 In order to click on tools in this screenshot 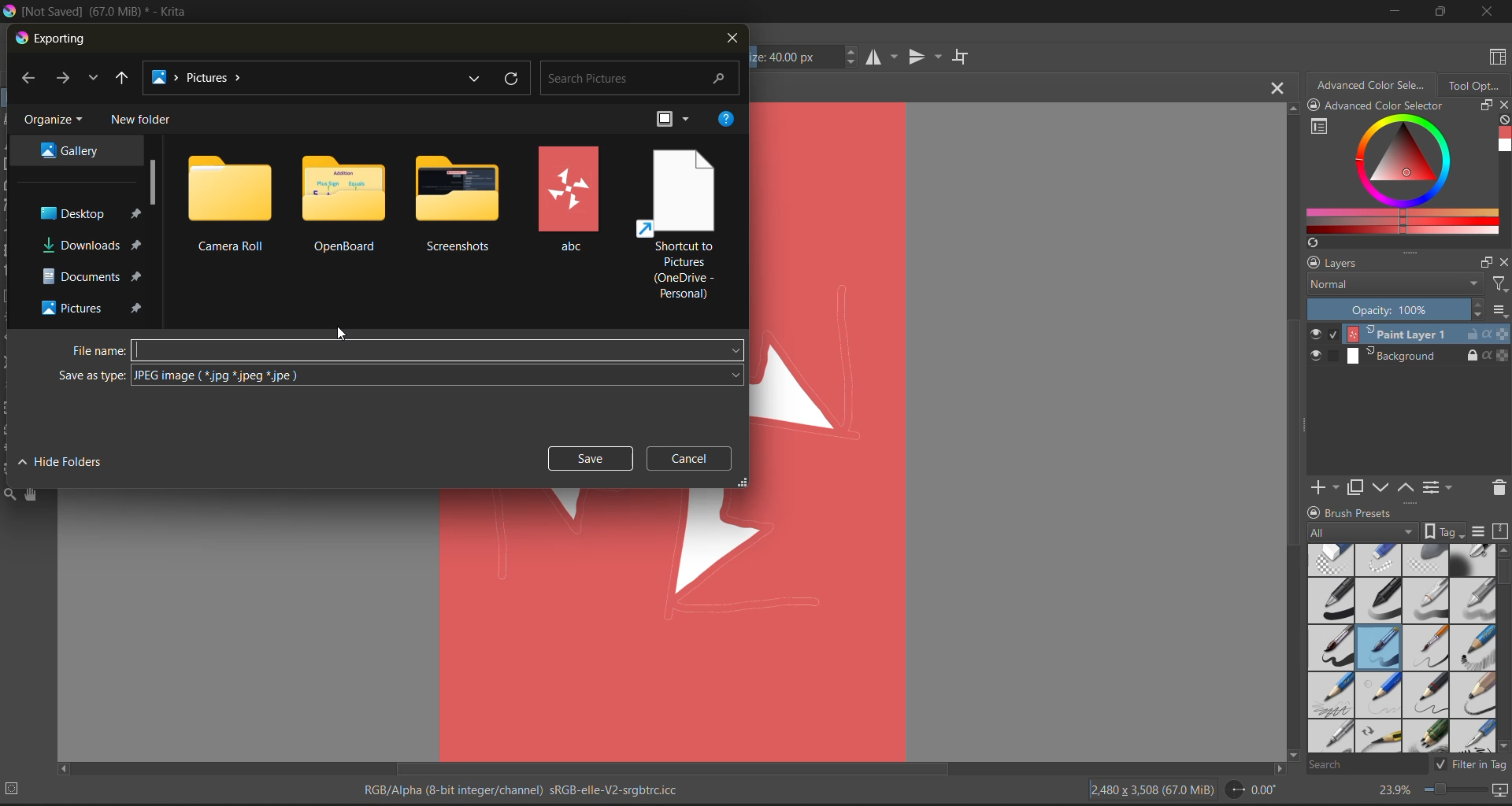, I will do `click(9, 493)`.